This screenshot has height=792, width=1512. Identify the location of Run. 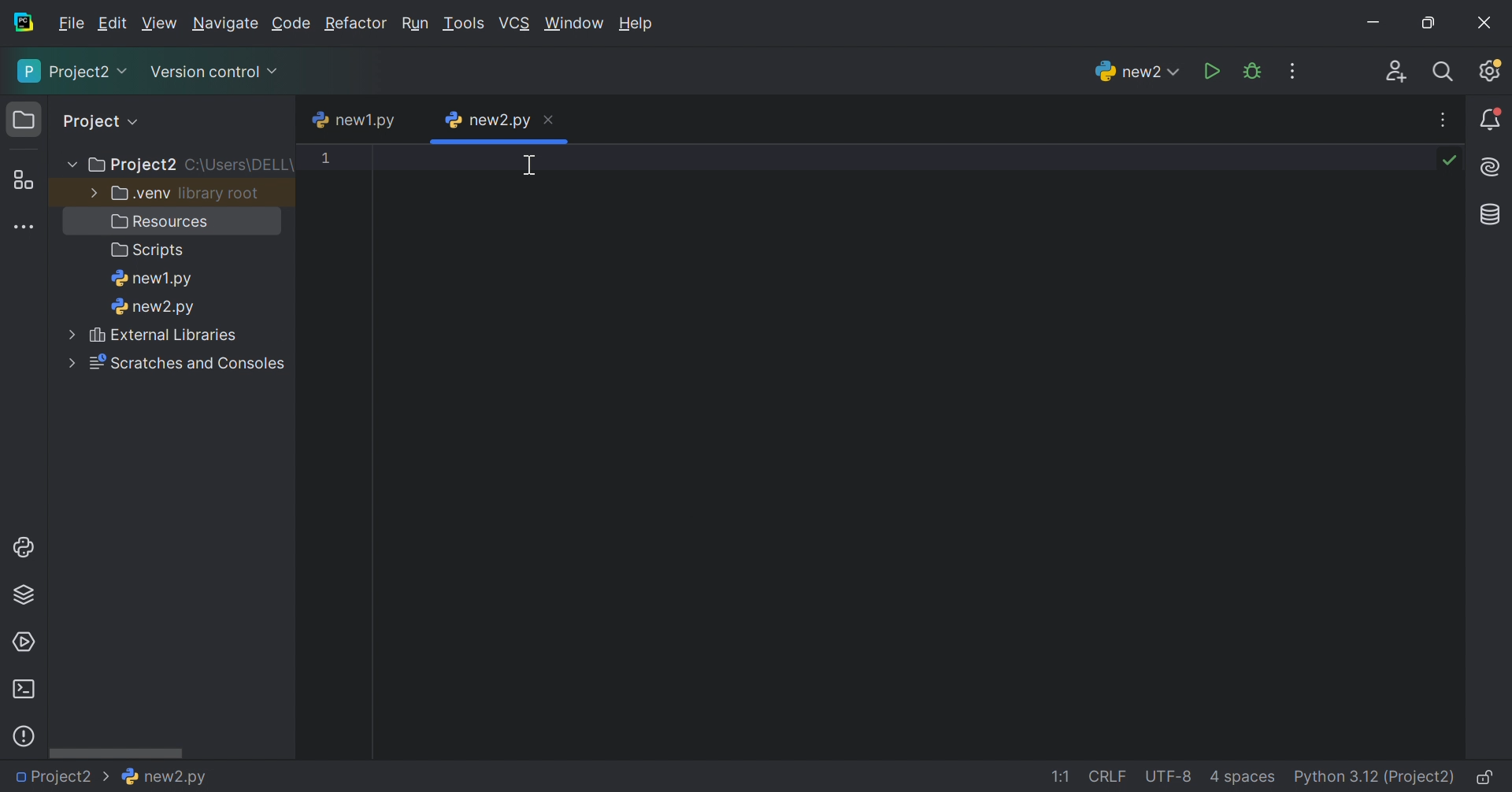
(1213, 72).